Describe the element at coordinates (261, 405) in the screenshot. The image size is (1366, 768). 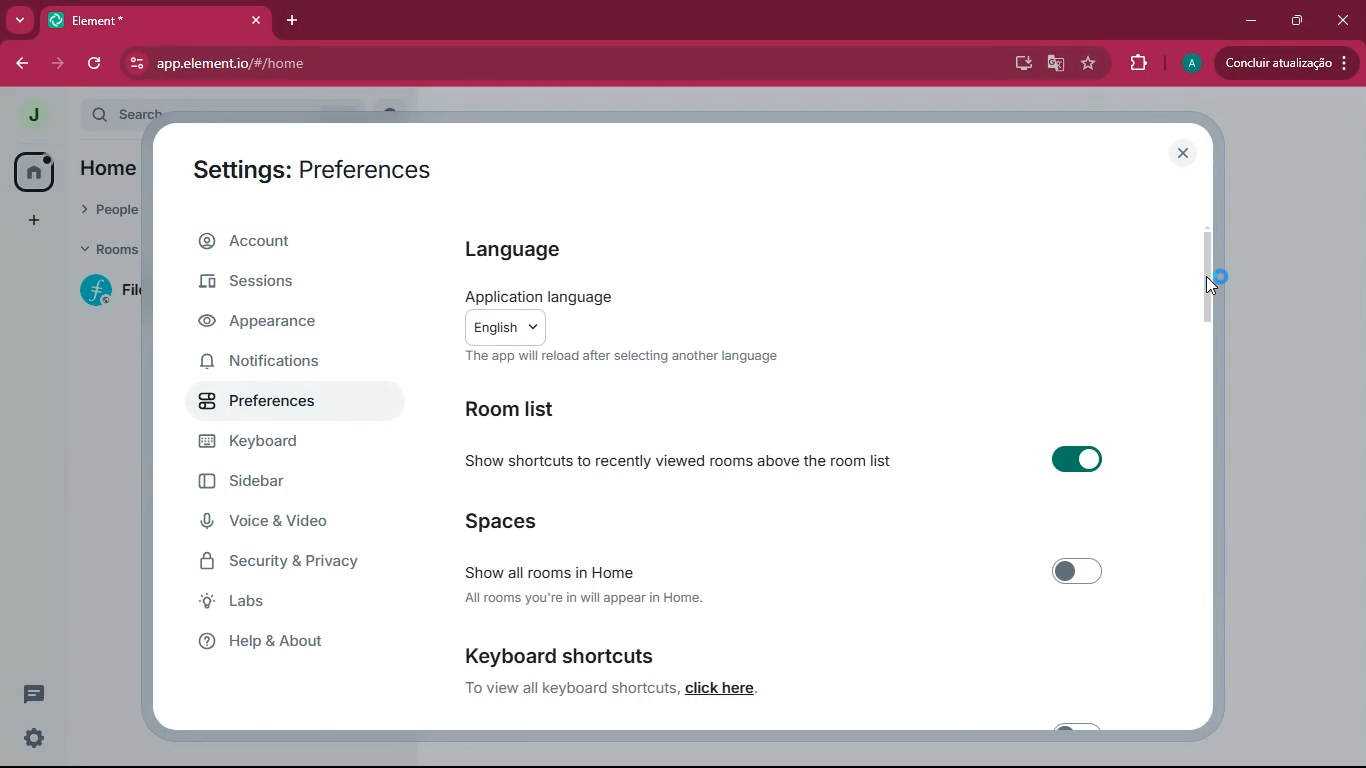
I see `Preferences` at that location.